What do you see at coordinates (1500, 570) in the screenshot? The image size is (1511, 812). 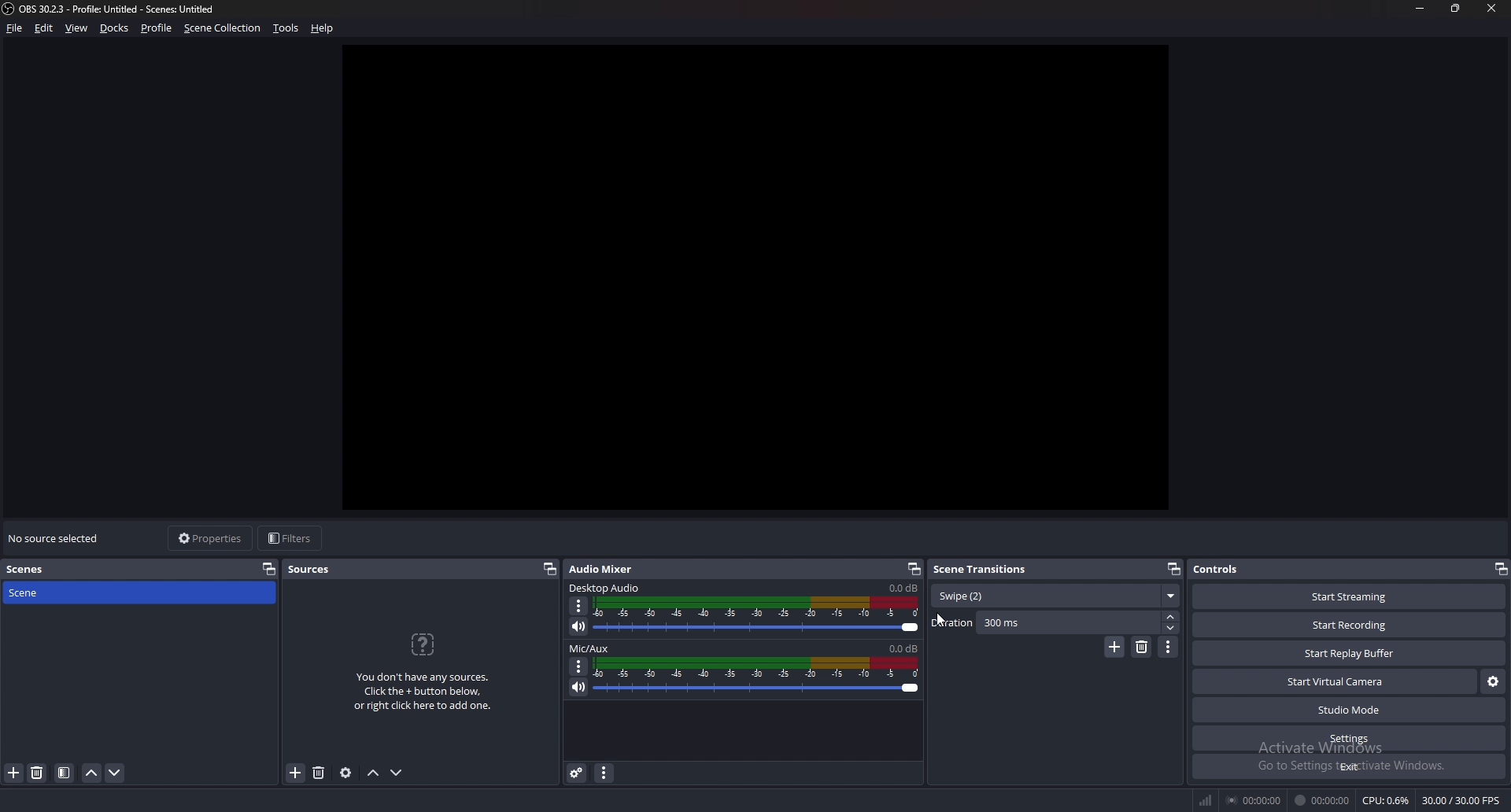 I see `pop out` at bounding box center [1500, 570].